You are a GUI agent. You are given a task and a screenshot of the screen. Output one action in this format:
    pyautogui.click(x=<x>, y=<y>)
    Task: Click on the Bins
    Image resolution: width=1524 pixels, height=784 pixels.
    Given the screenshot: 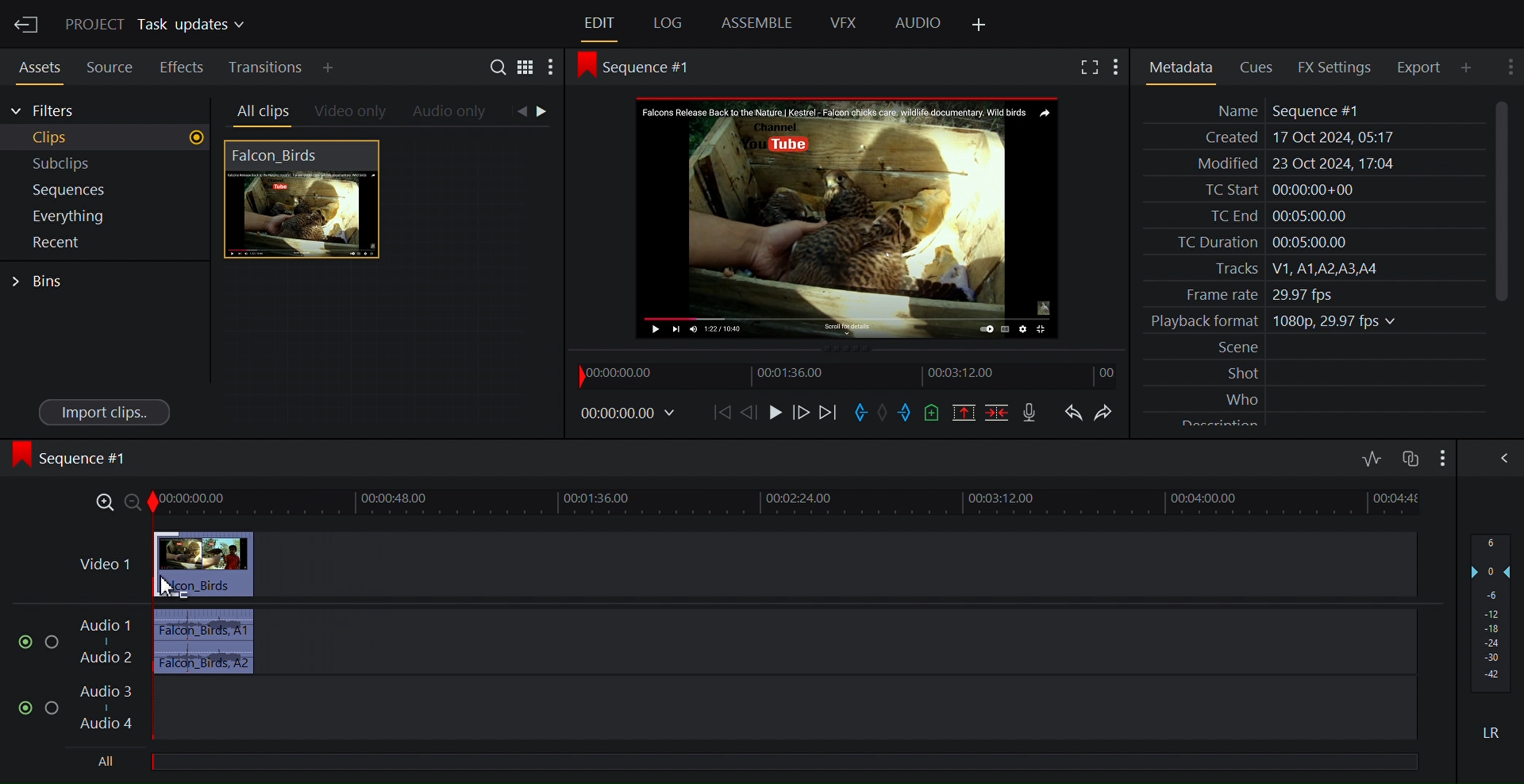 What is the action you would take?
    pyautogui.click(x=39, y=282)
    